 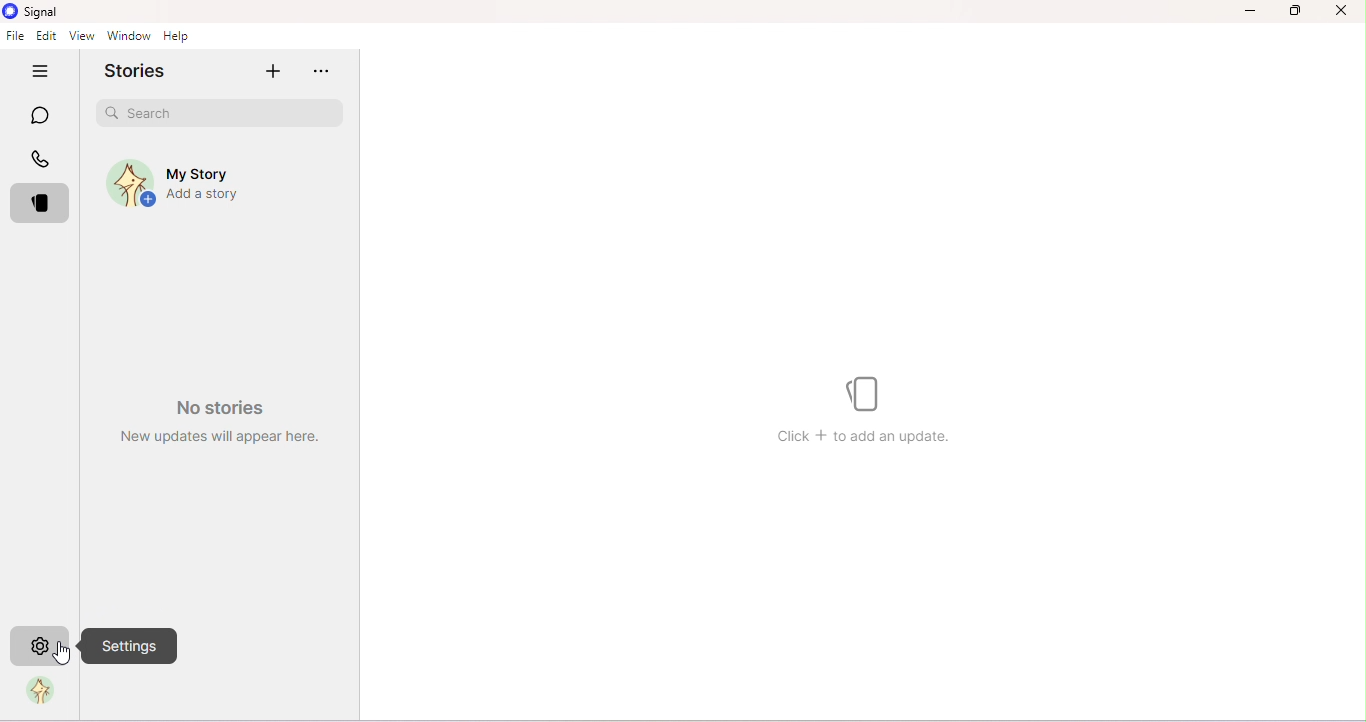 I want to click on more options, so click(x=324, y=70).